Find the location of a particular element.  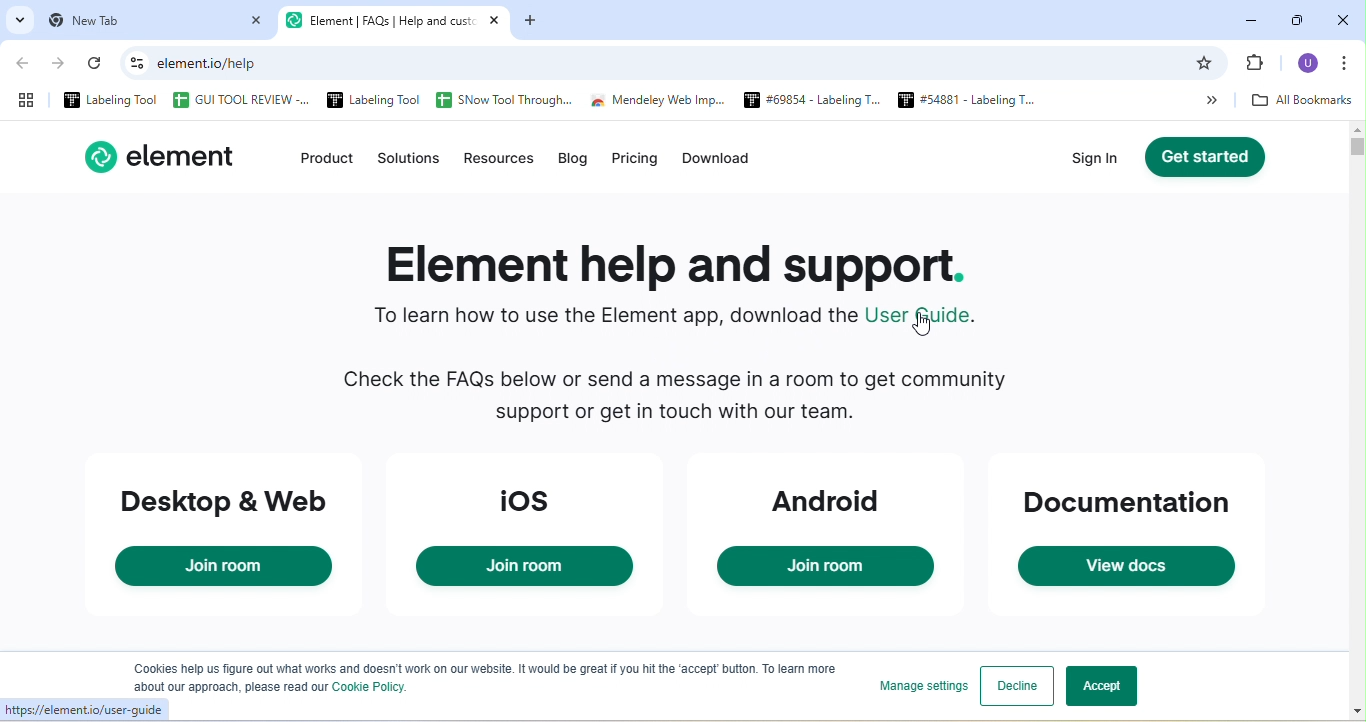

blog is located at coordinates (578, 161).